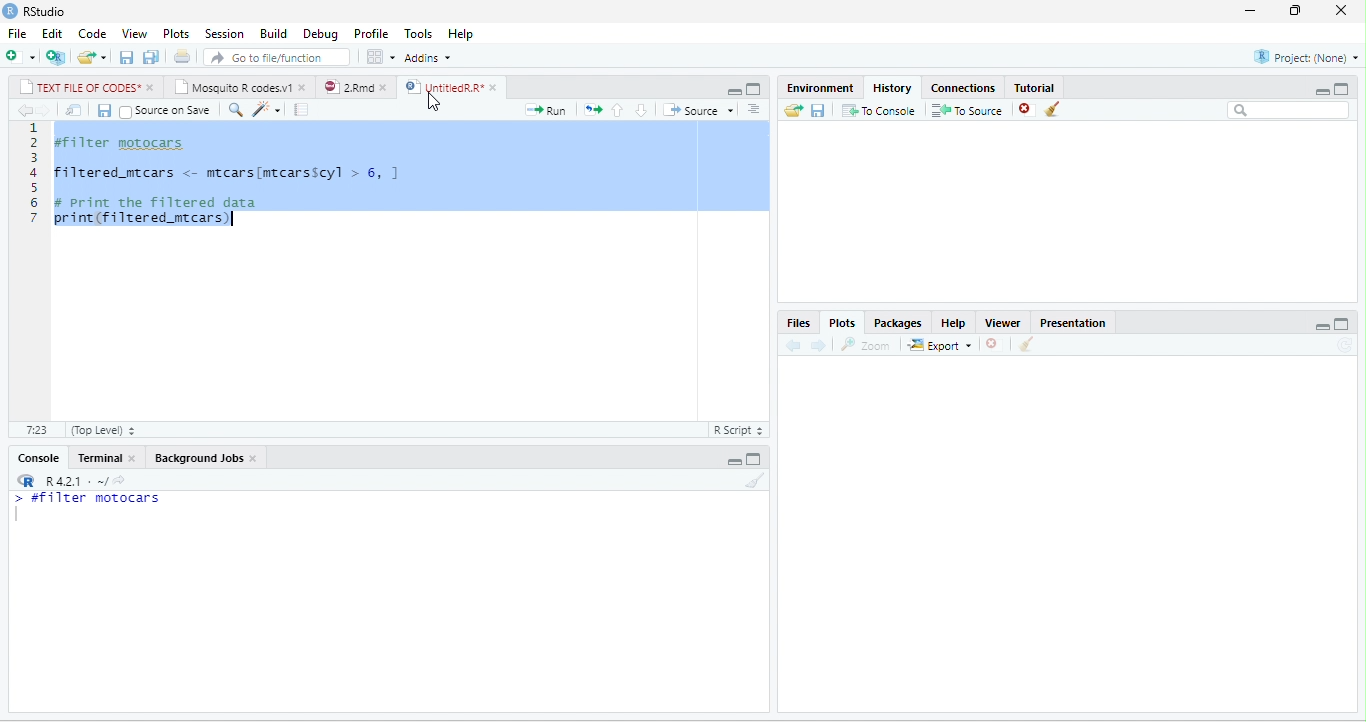  Describe the element at coordinates (26, 110) in the screenshot. I see `back` at that location.